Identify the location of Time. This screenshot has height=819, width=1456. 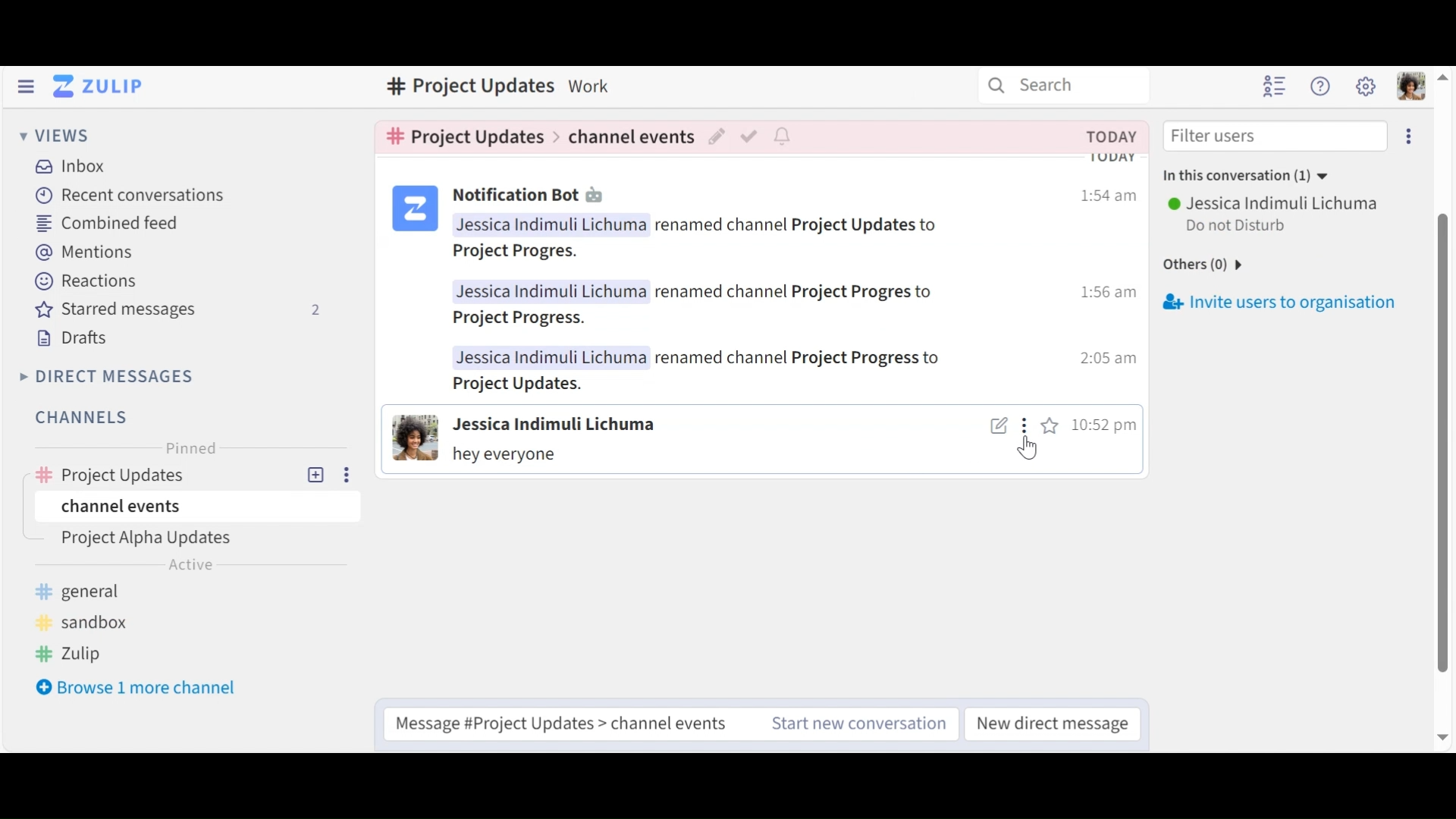
(1105, 427).